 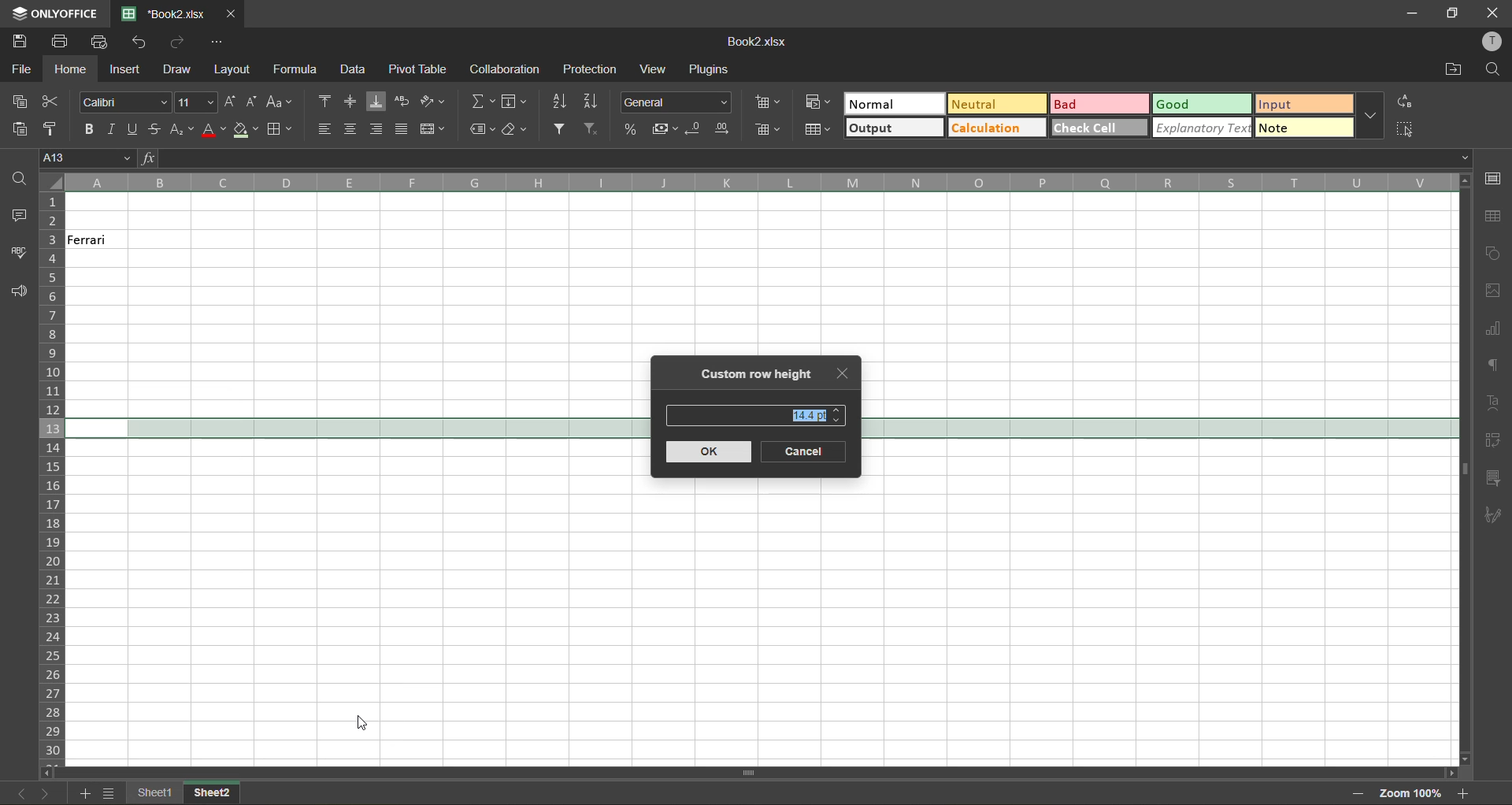 I want to click on decrement size, so click(x=253, y=102).